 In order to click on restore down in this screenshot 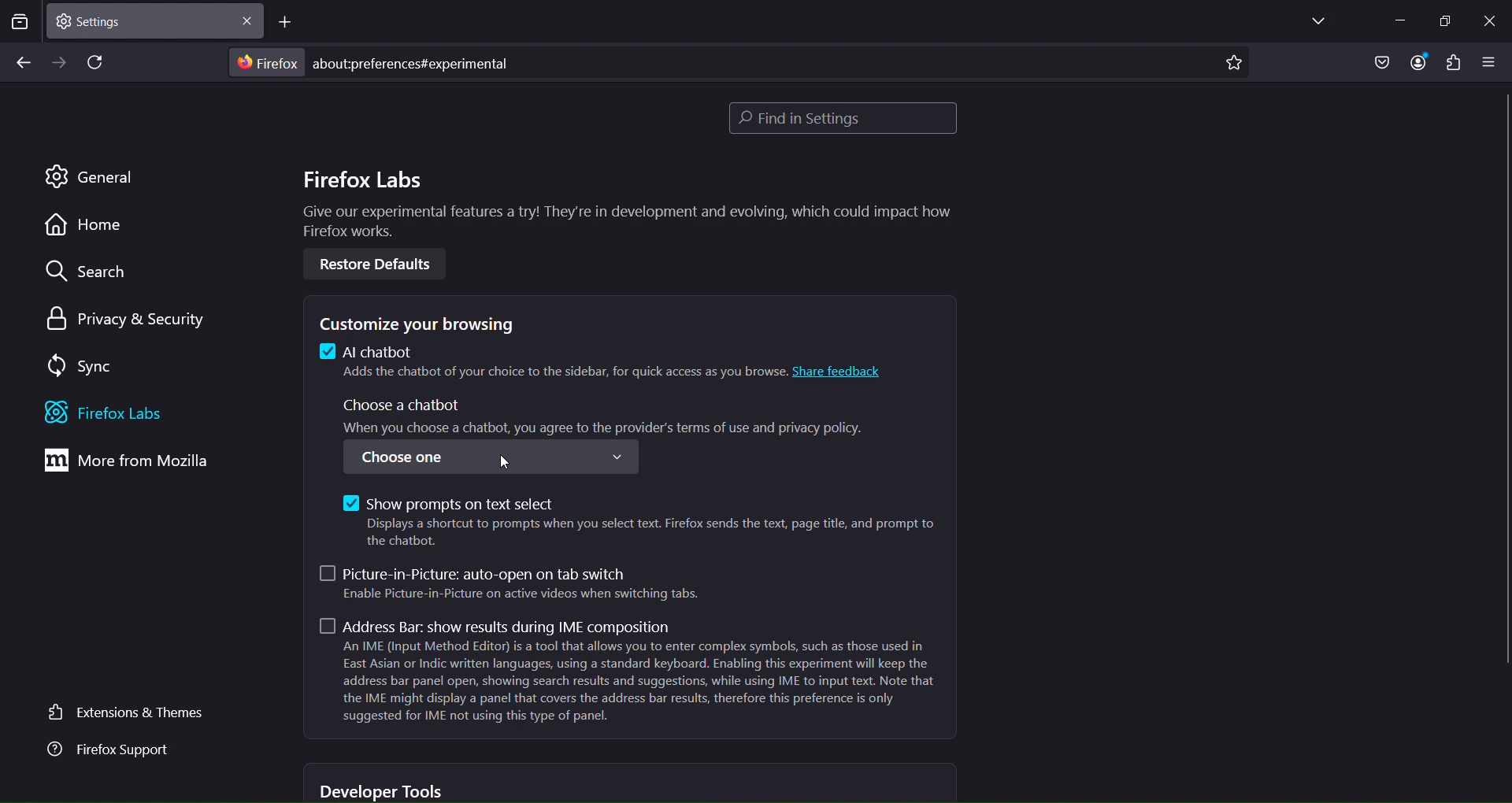, I will do `click(1443, 22)`.